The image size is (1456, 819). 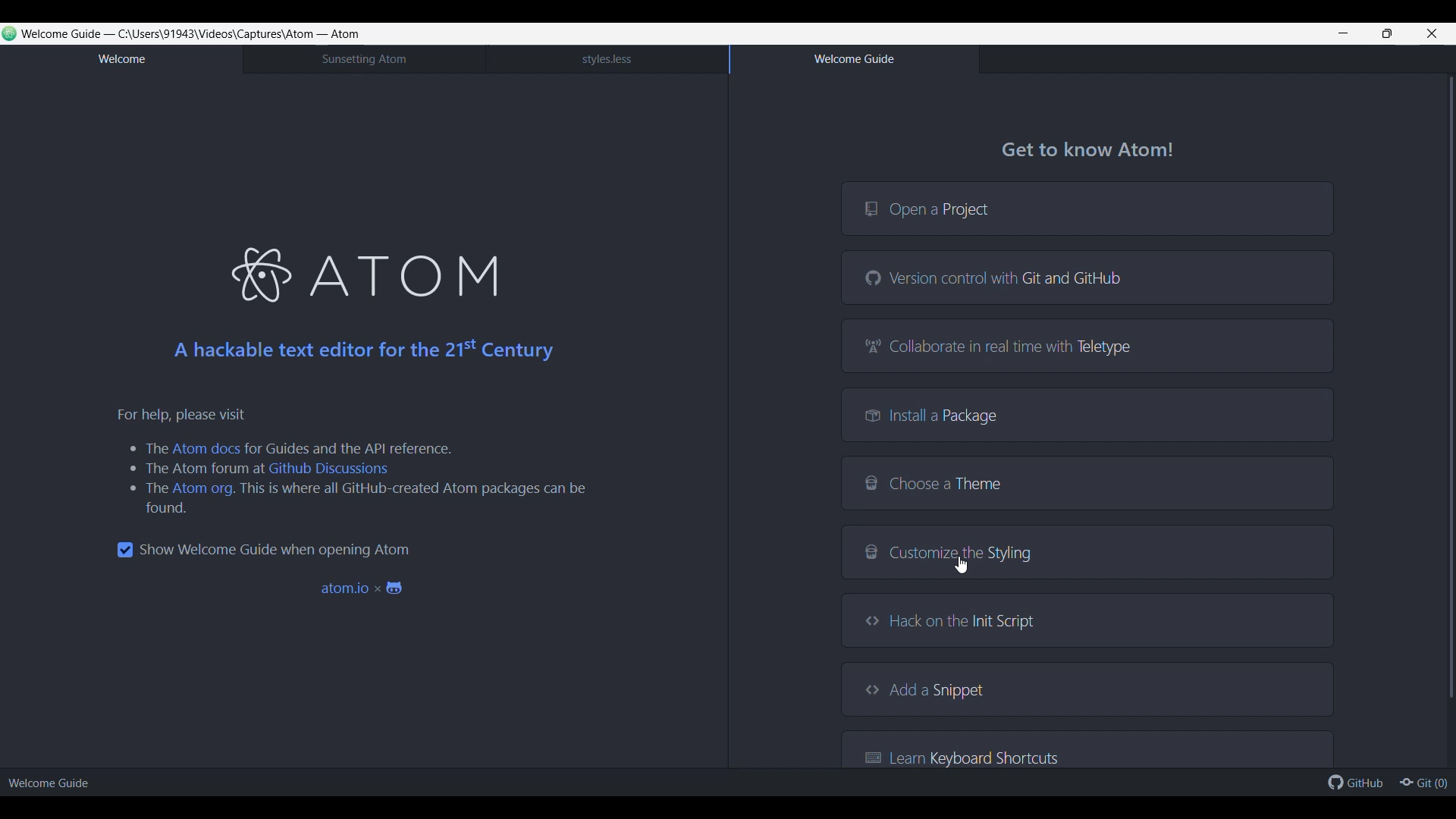 I want to click on Customize the Styling, so click(x=1087, y=552).